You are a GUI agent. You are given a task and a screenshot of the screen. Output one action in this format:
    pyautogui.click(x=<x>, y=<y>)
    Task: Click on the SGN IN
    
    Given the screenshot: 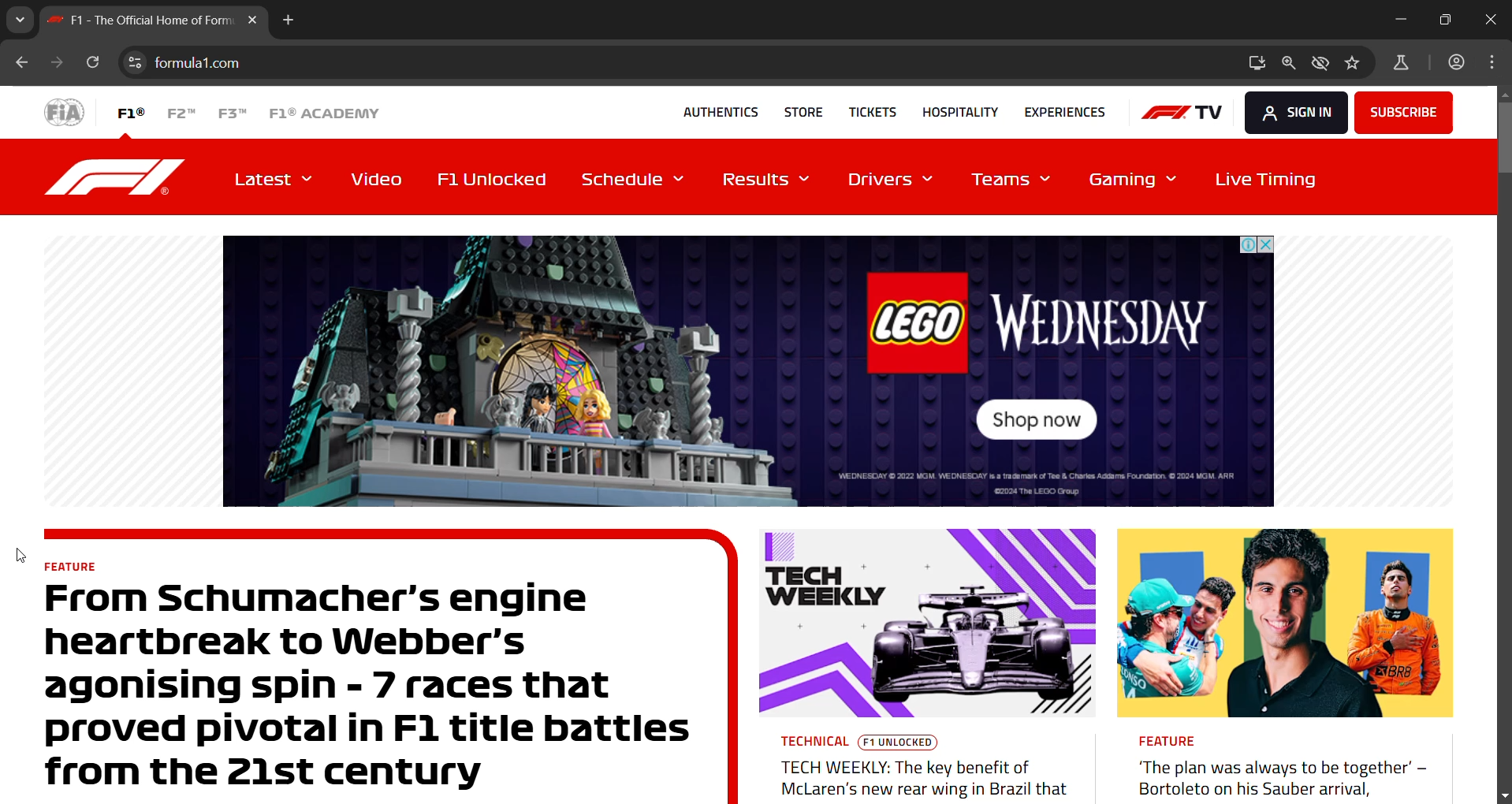 What is the action you would take?
    pyautogui.click(x=1292, y=110)
    